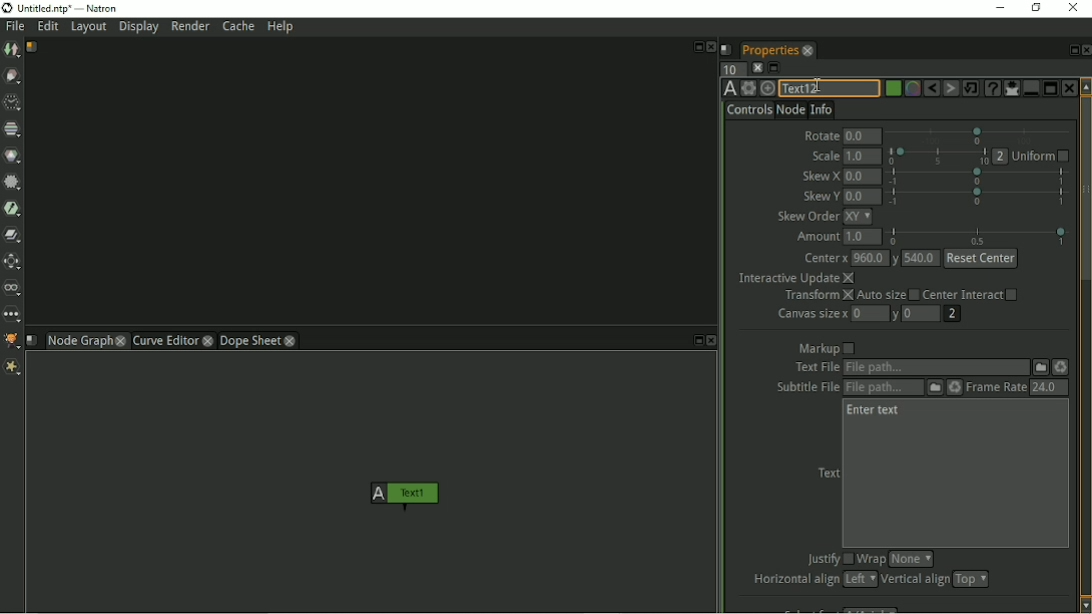  Describe the element at coordinates (998, 7) in the screenshot. I see `Minimize` at that location.